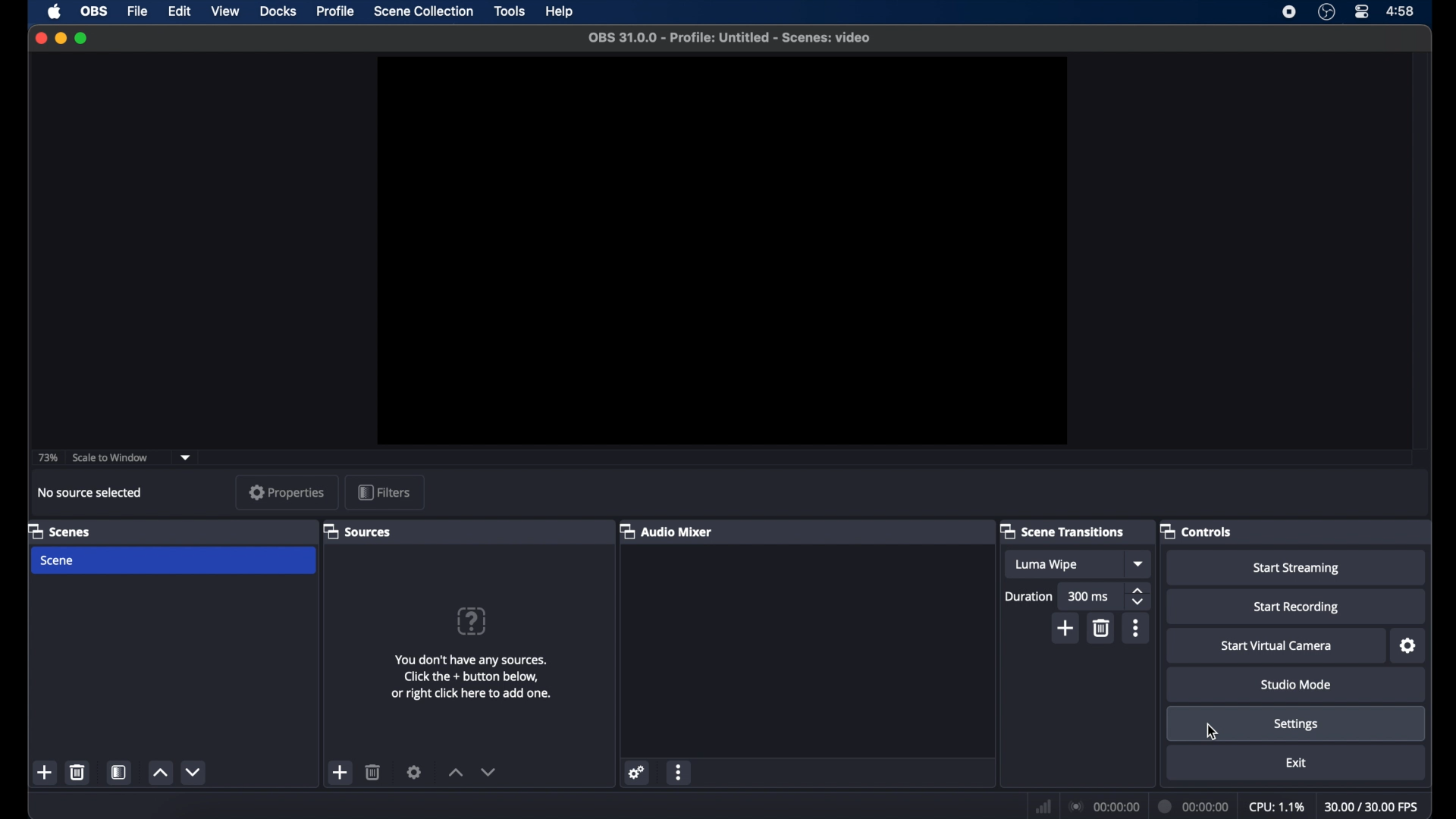 This screenshot has height=819, width=1456. I want to click on decrement, so click(487, 771).